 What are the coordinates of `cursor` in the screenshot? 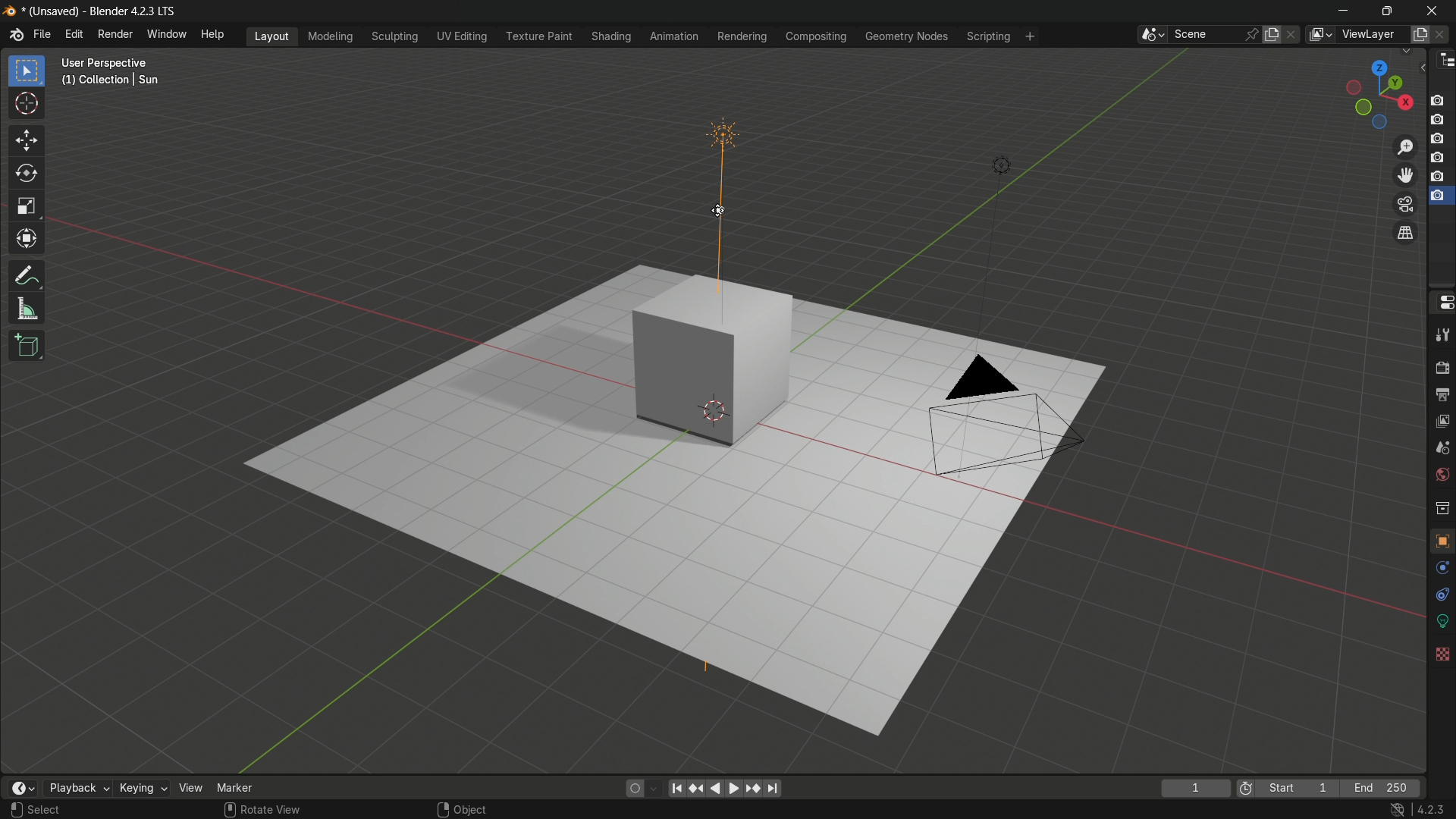 It's located at (718, 211).